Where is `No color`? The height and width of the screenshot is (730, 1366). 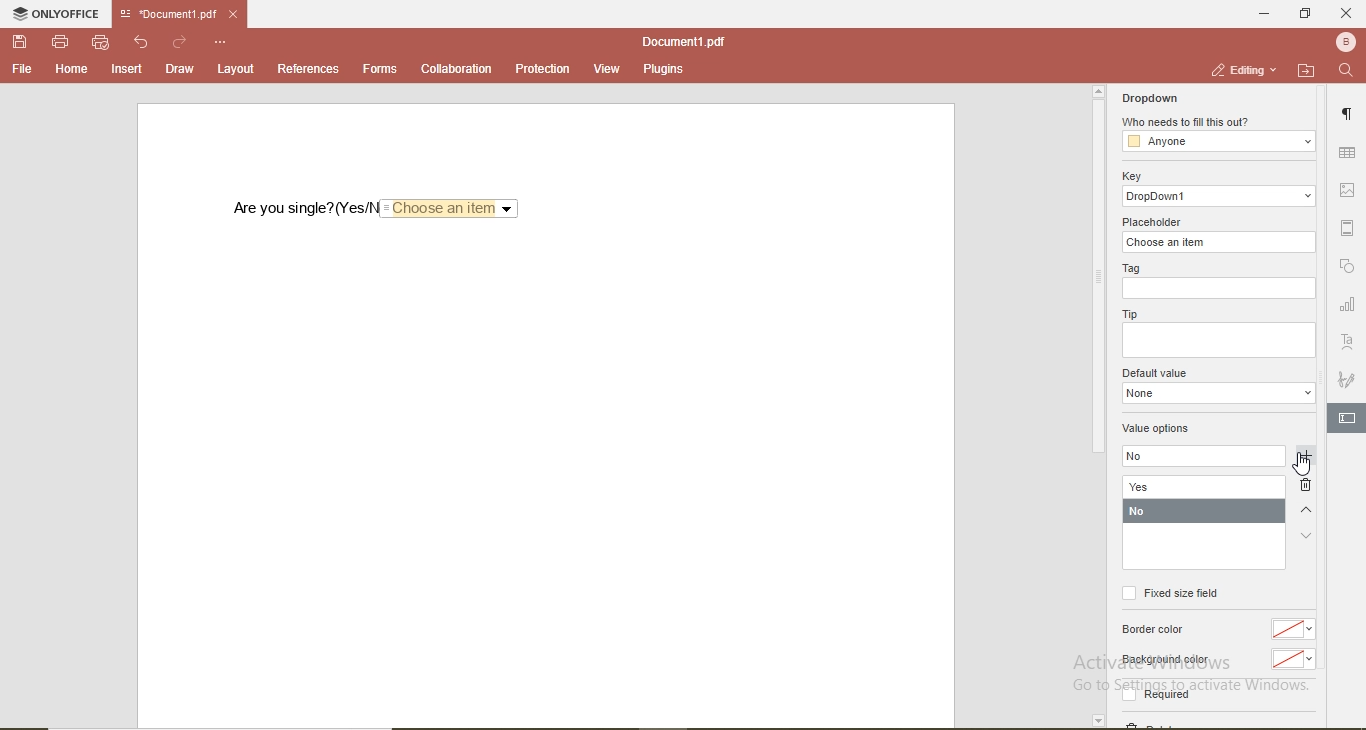
No color is located at coordinates (1292, 660).